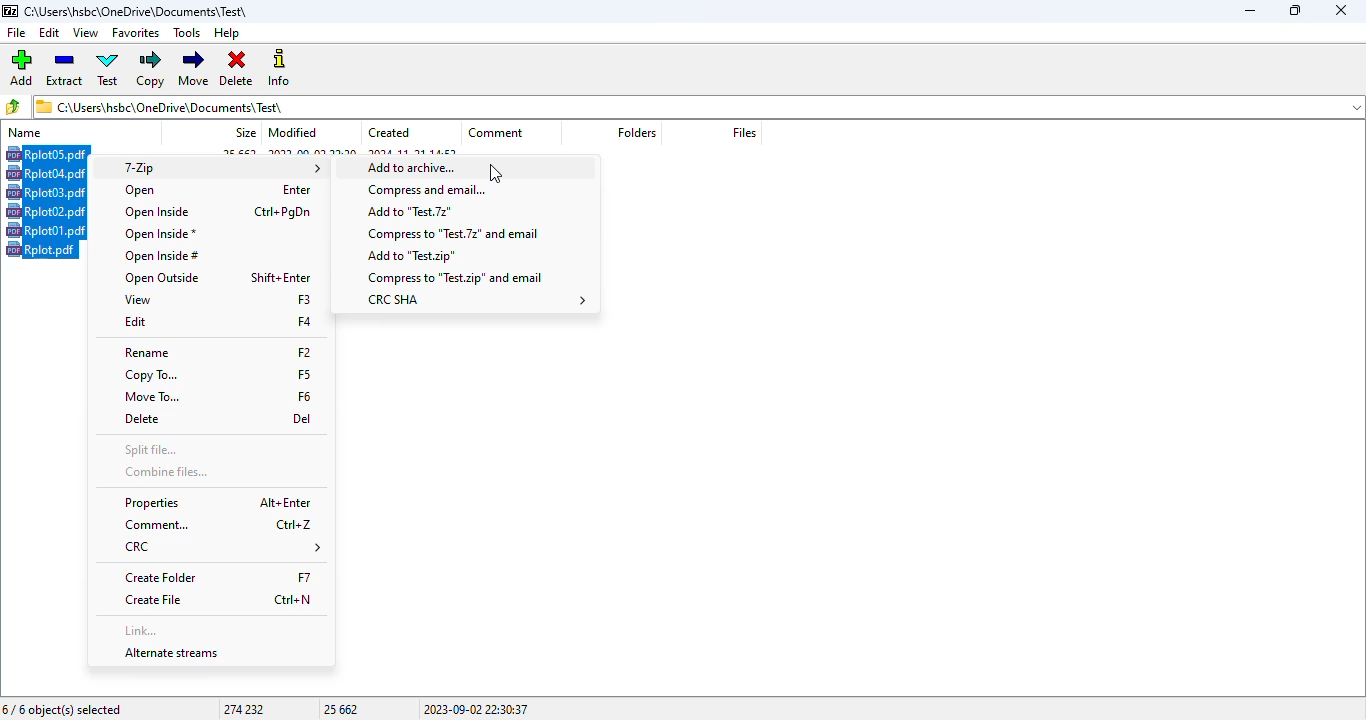 This screenshot has height=720, width=1366. I want to click on open outside, so click(218, 278).